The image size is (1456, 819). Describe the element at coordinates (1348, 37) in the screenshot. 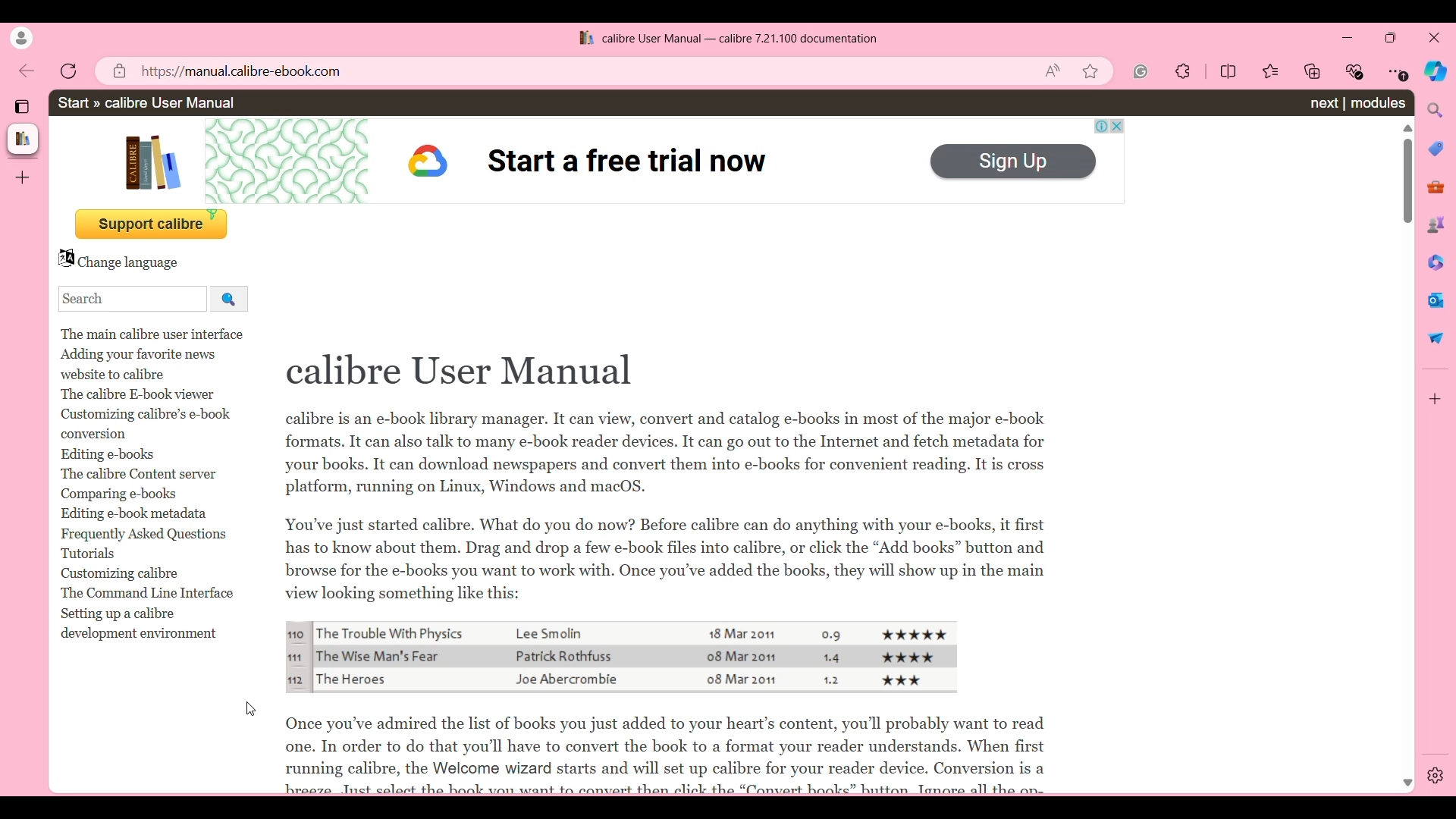

I see `Minimize` at that location.